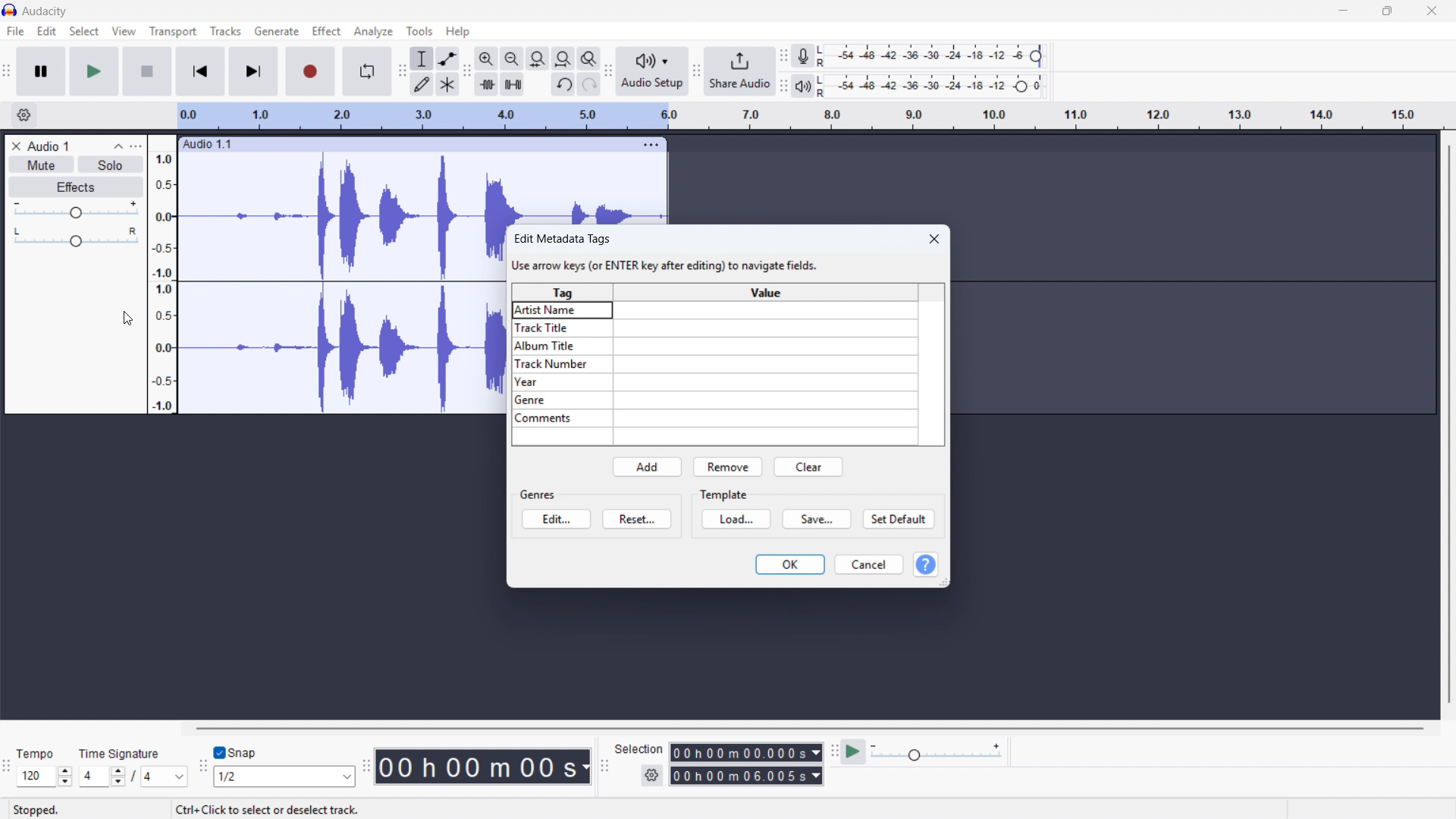 The height and width of the screenshot is (819, 1456). I want to click on audio setup toolbar, so click(607, 72).